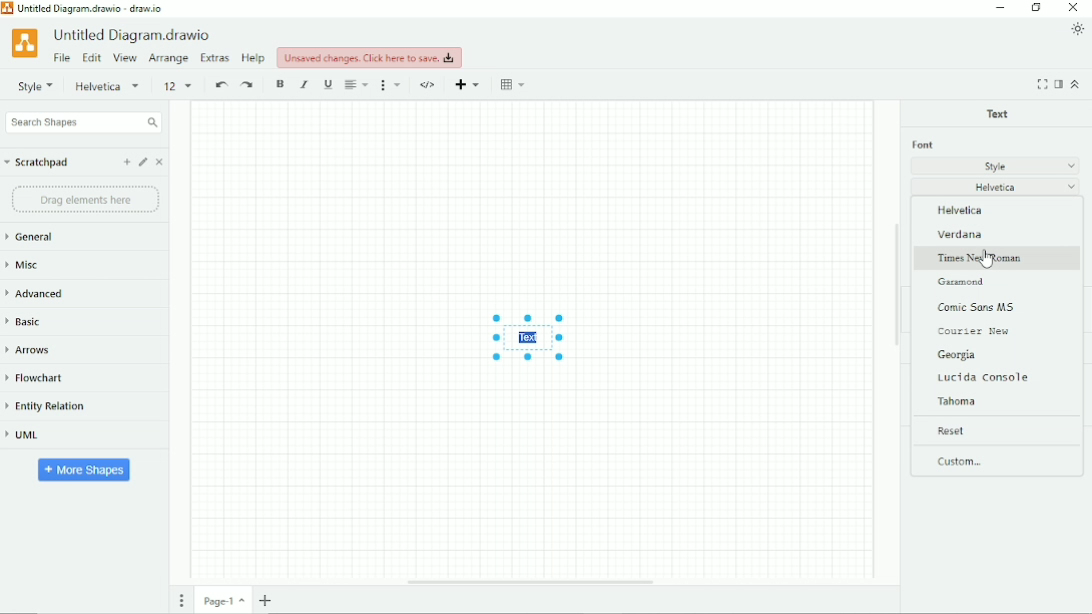 This screenshot has width=1092, height=614. What do you see at coordinates (960, 461) in the screenshot?
I see `Custom` at bounding box center [960, 461].